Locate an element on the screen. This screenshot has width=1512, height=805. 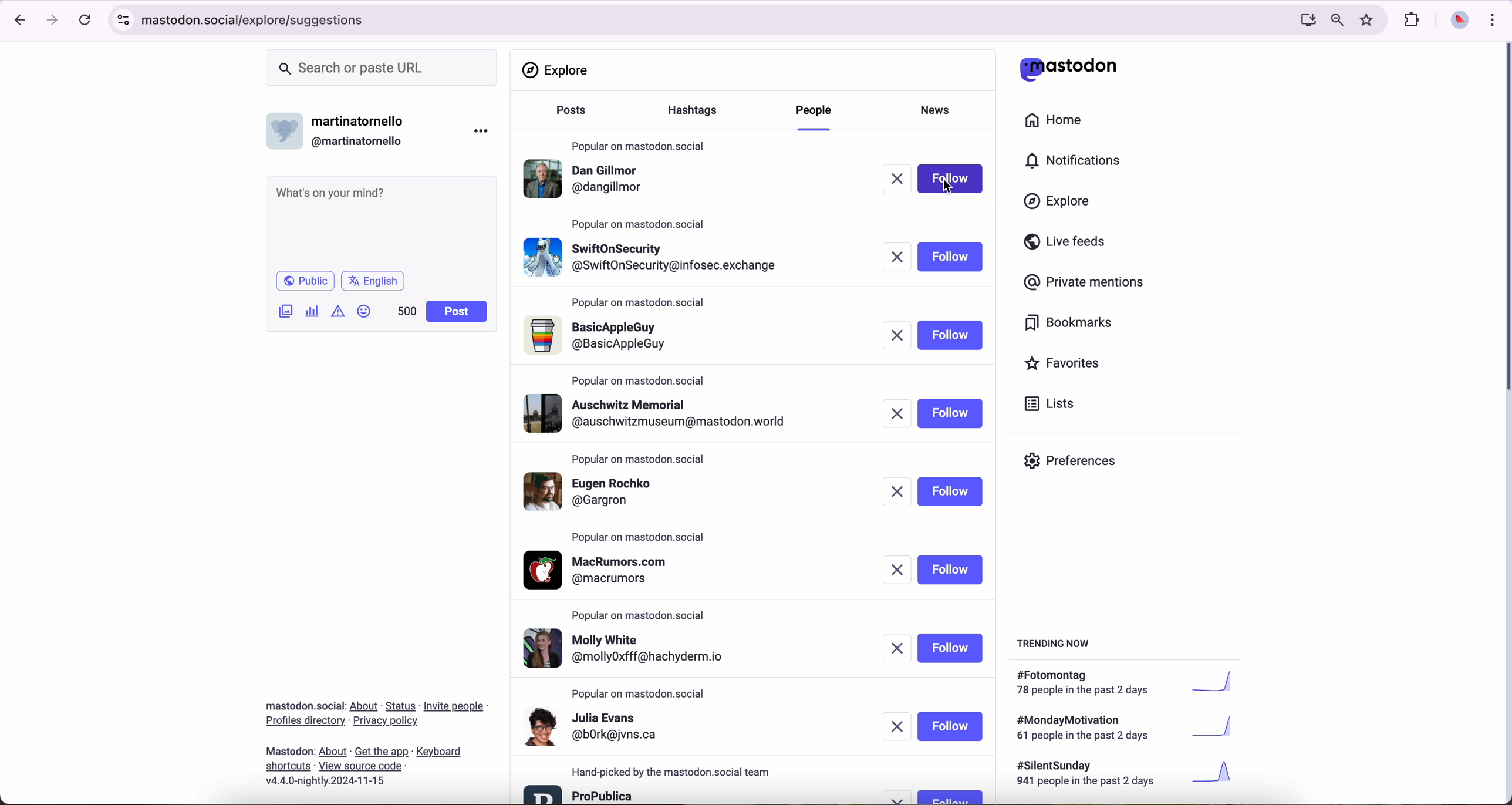
lists is located at coordinates (1045, 403).